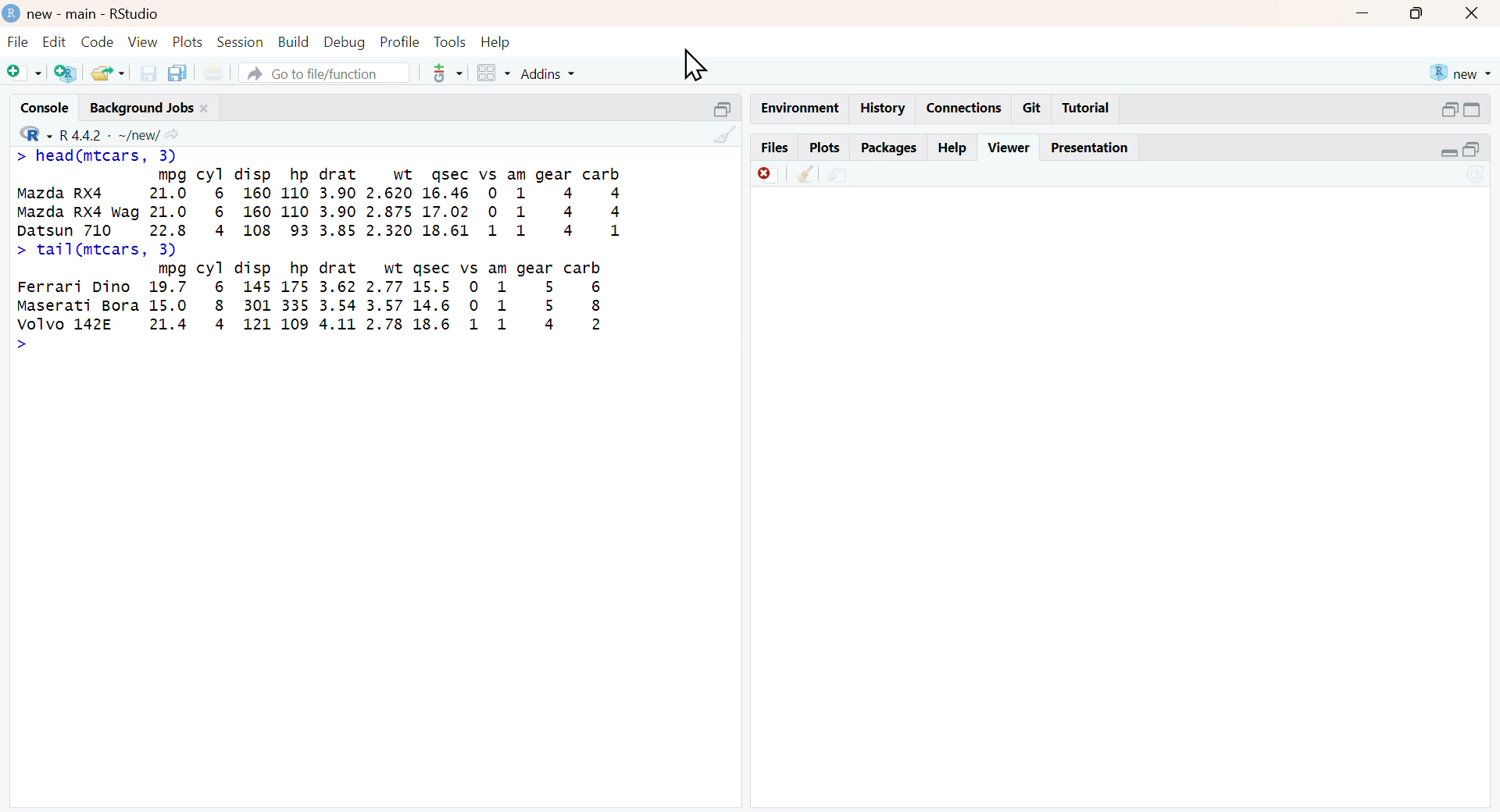  I want to click on Tools, so click(448, 40).